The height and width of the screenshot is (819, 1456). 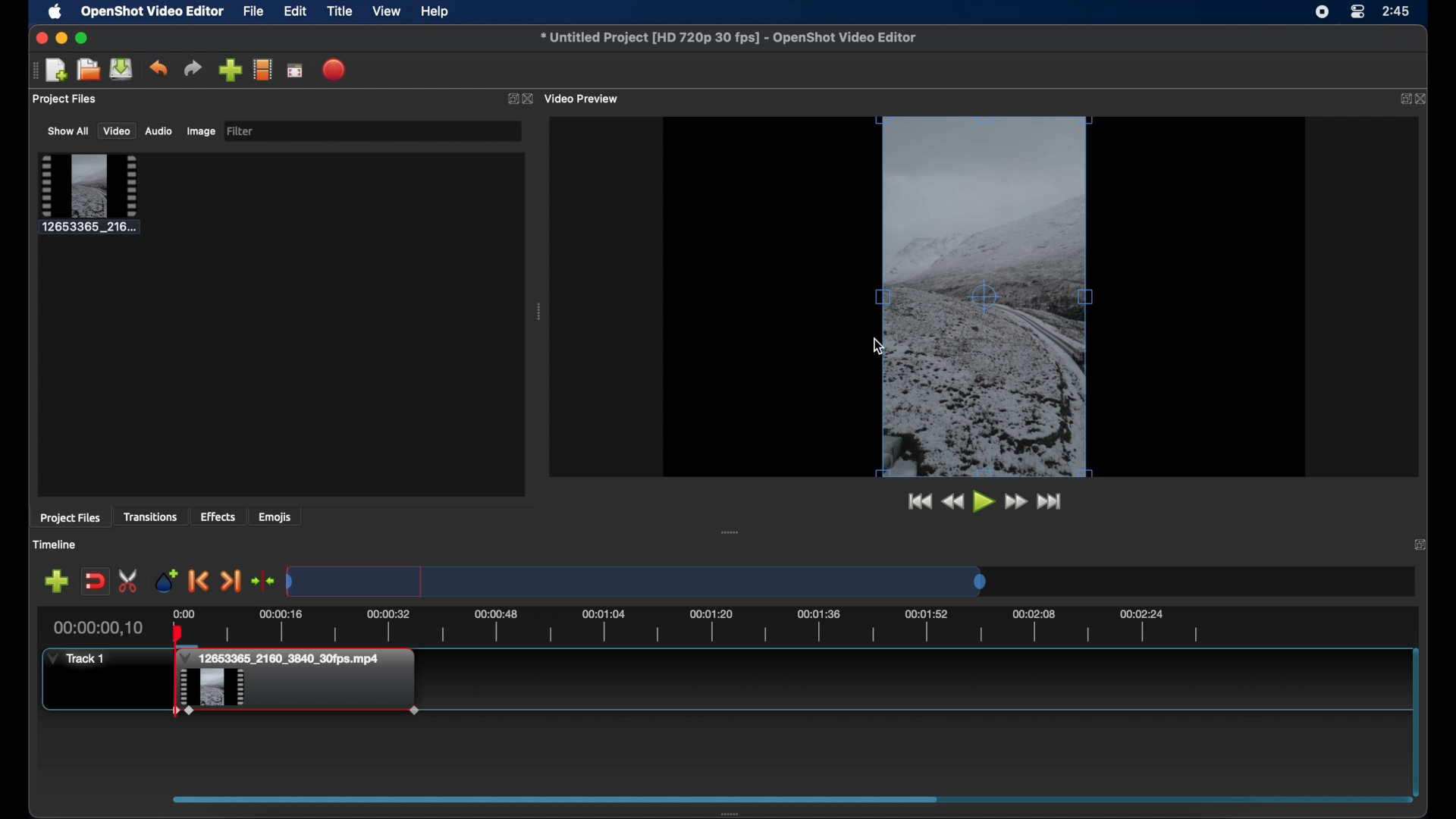 What do you see at coordinates (1423, 99) in the screenshot?
I see `close` at bounding box center [1423, 99].